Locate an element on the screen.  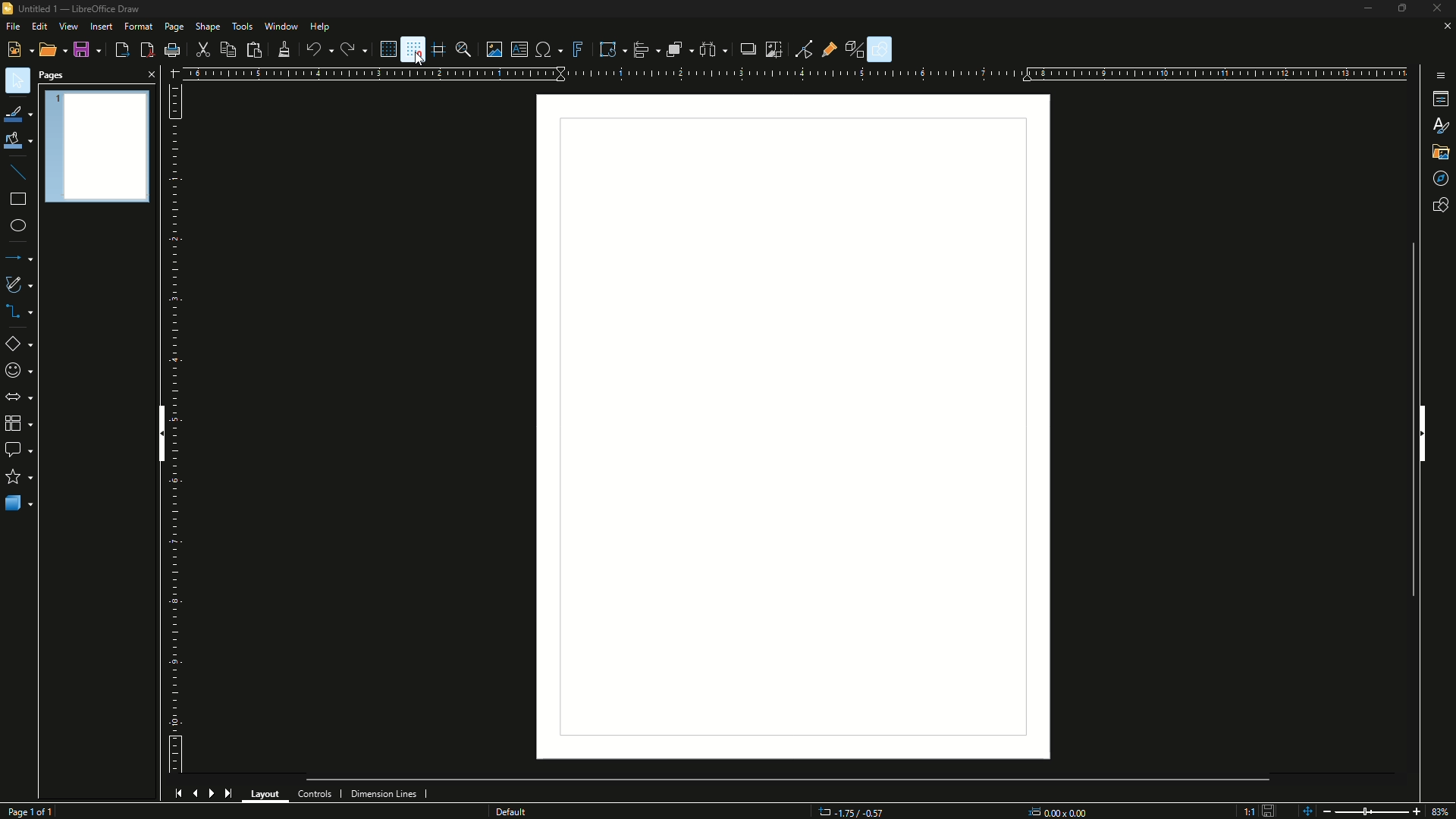
Window is located at coordinates (280, 27).